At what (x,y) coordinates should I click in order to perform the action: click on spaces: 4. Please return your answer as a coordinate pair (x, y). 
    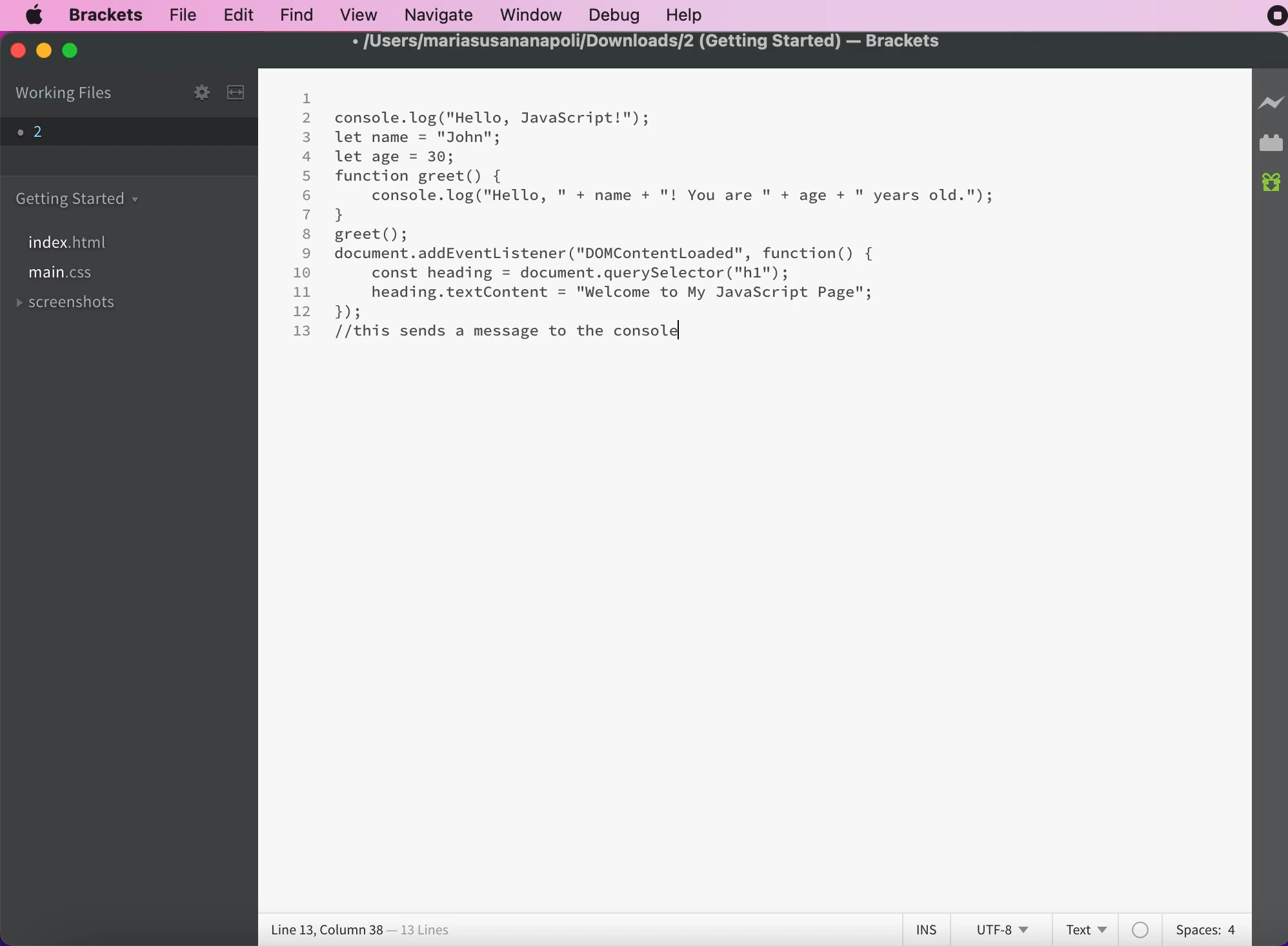
    Looking at the image, I should click on (1204, 930).